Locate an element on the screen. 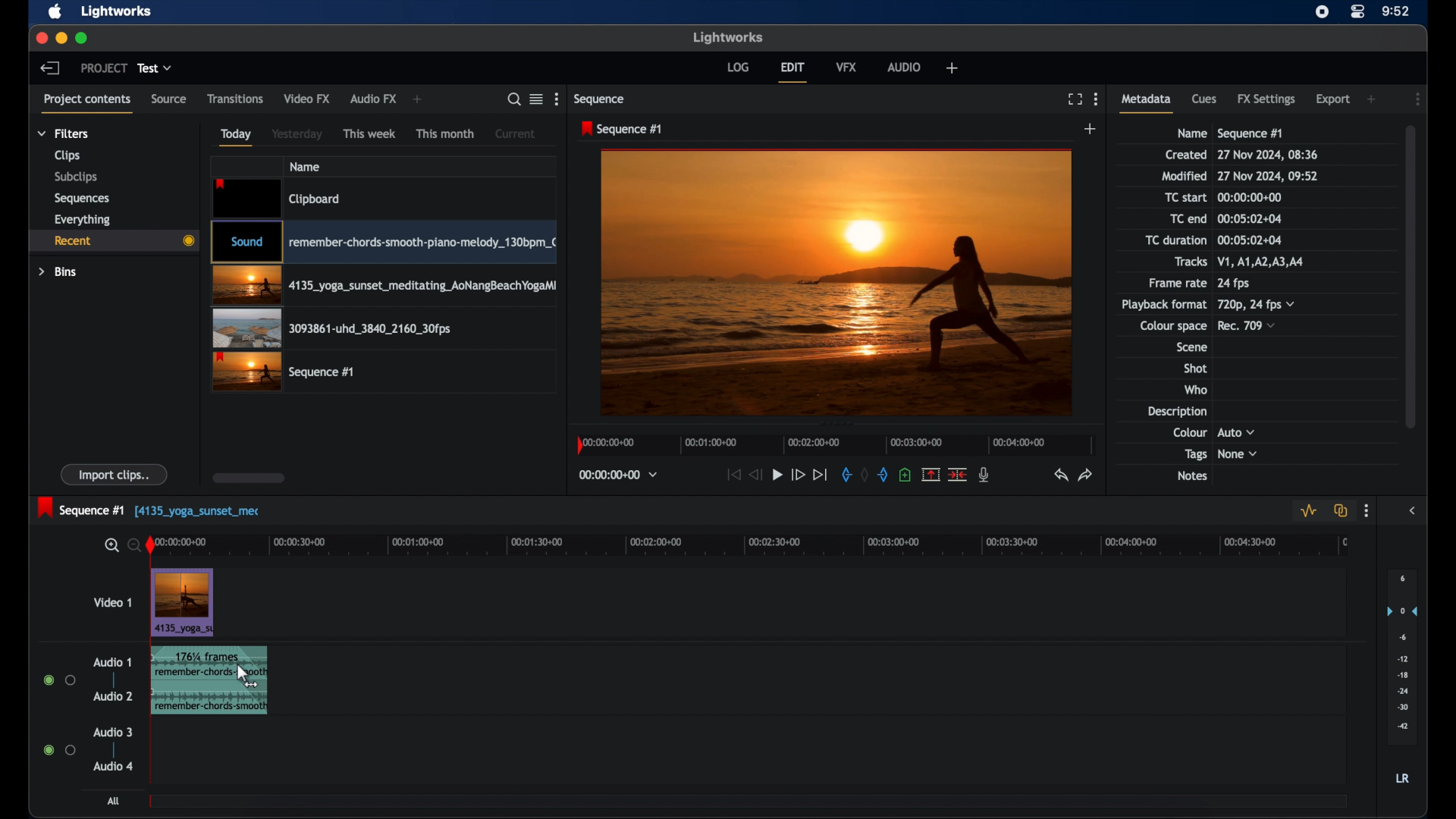  tc start is located at coordinates (1253, 196).